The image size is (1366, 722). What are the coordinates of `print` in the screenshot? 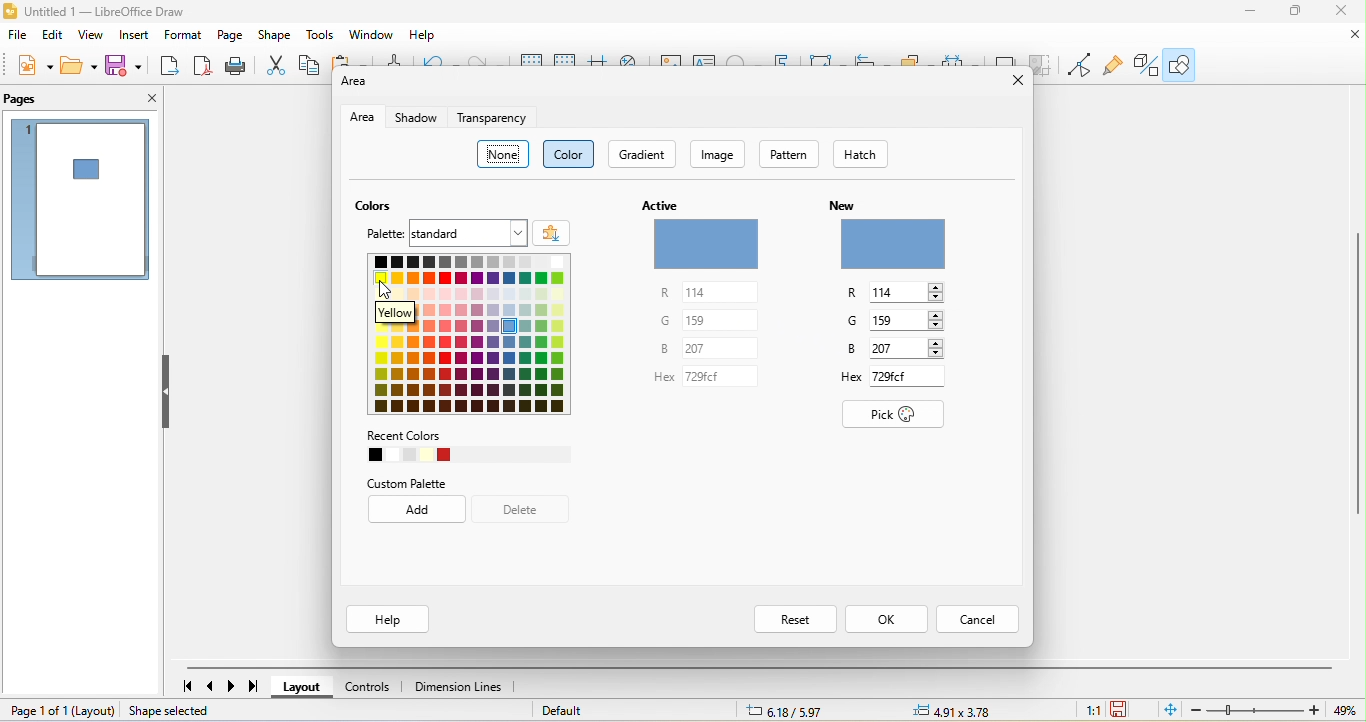 It's located at (240, 68).